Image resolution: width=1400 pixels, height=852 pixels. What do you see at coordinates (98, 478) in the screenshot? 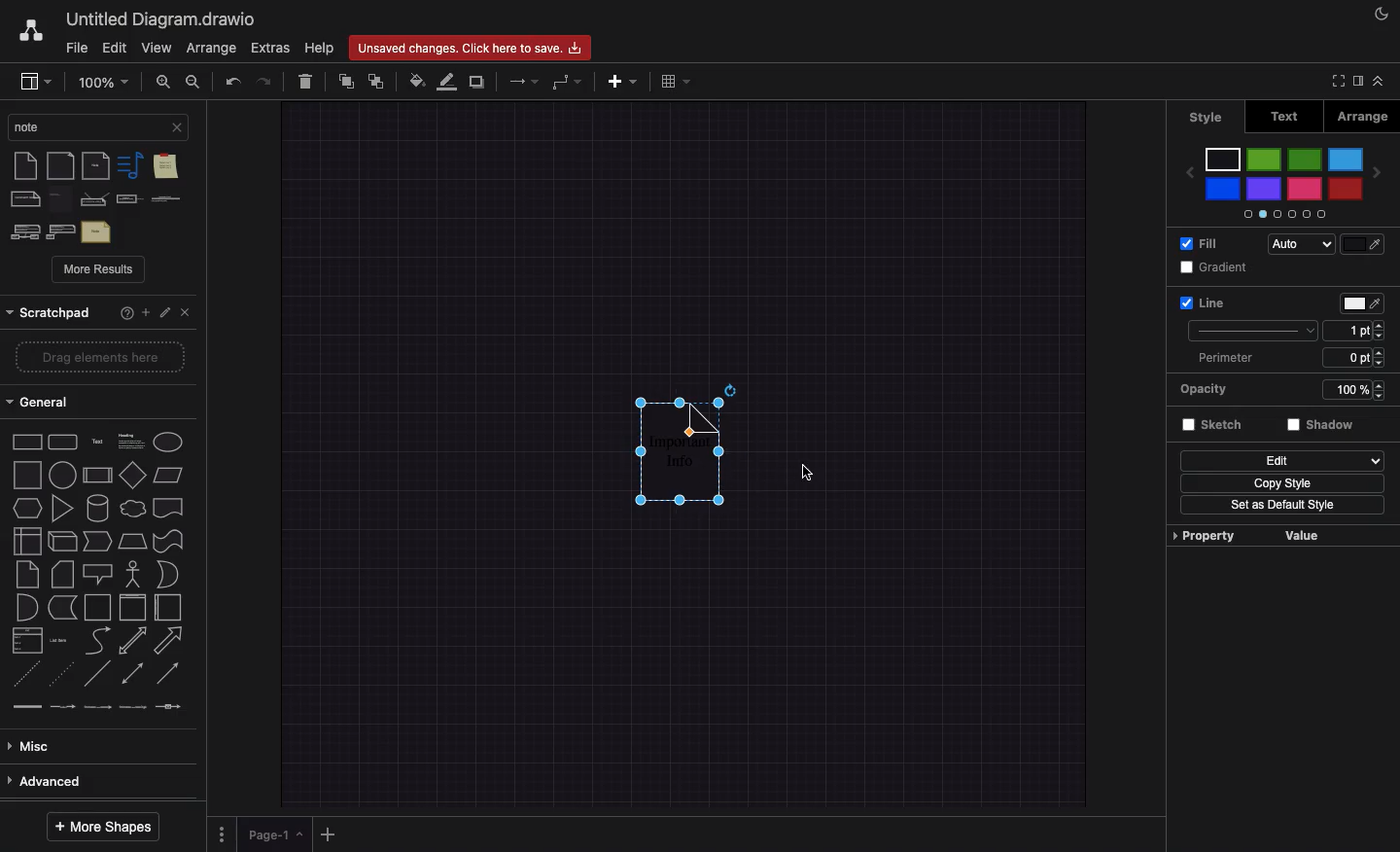
I see `diamond` at bounding box center [98, 478].